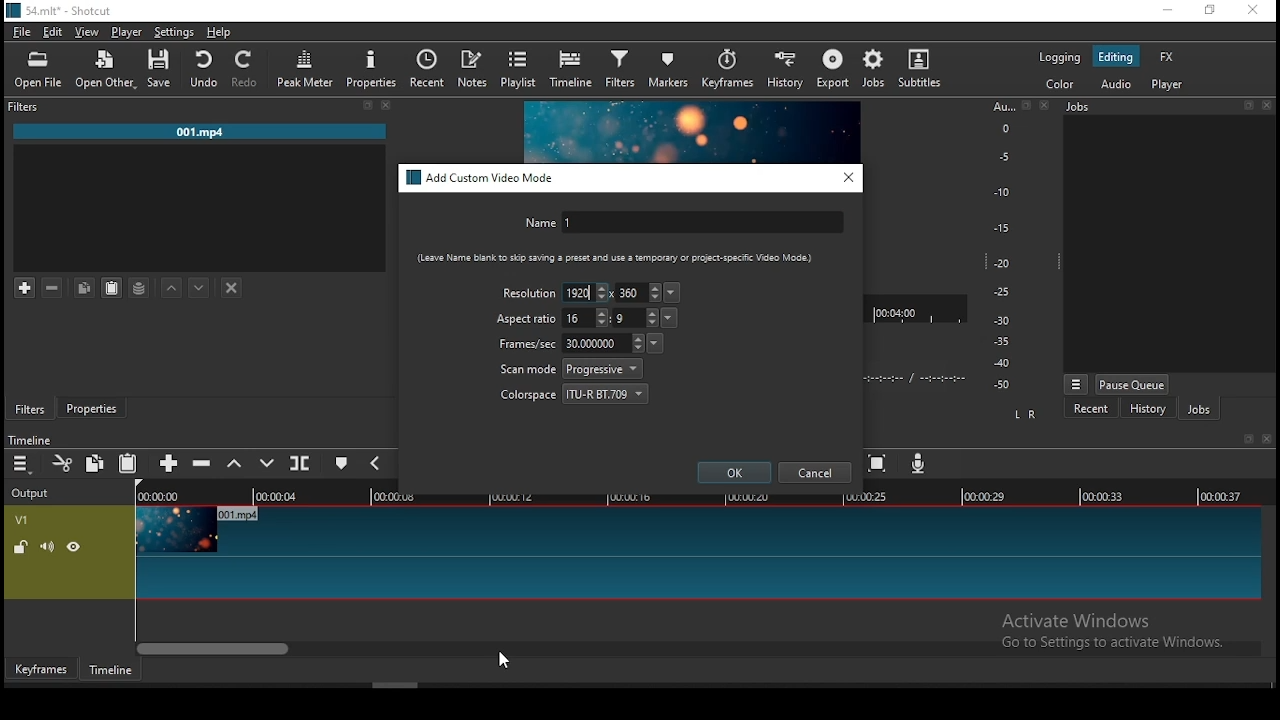 The width and height of the screenshot is (1280, 720). What do you see at coordinates (735, 472) in the screenshot?
I see `ok` at bounding box center [735, 472].